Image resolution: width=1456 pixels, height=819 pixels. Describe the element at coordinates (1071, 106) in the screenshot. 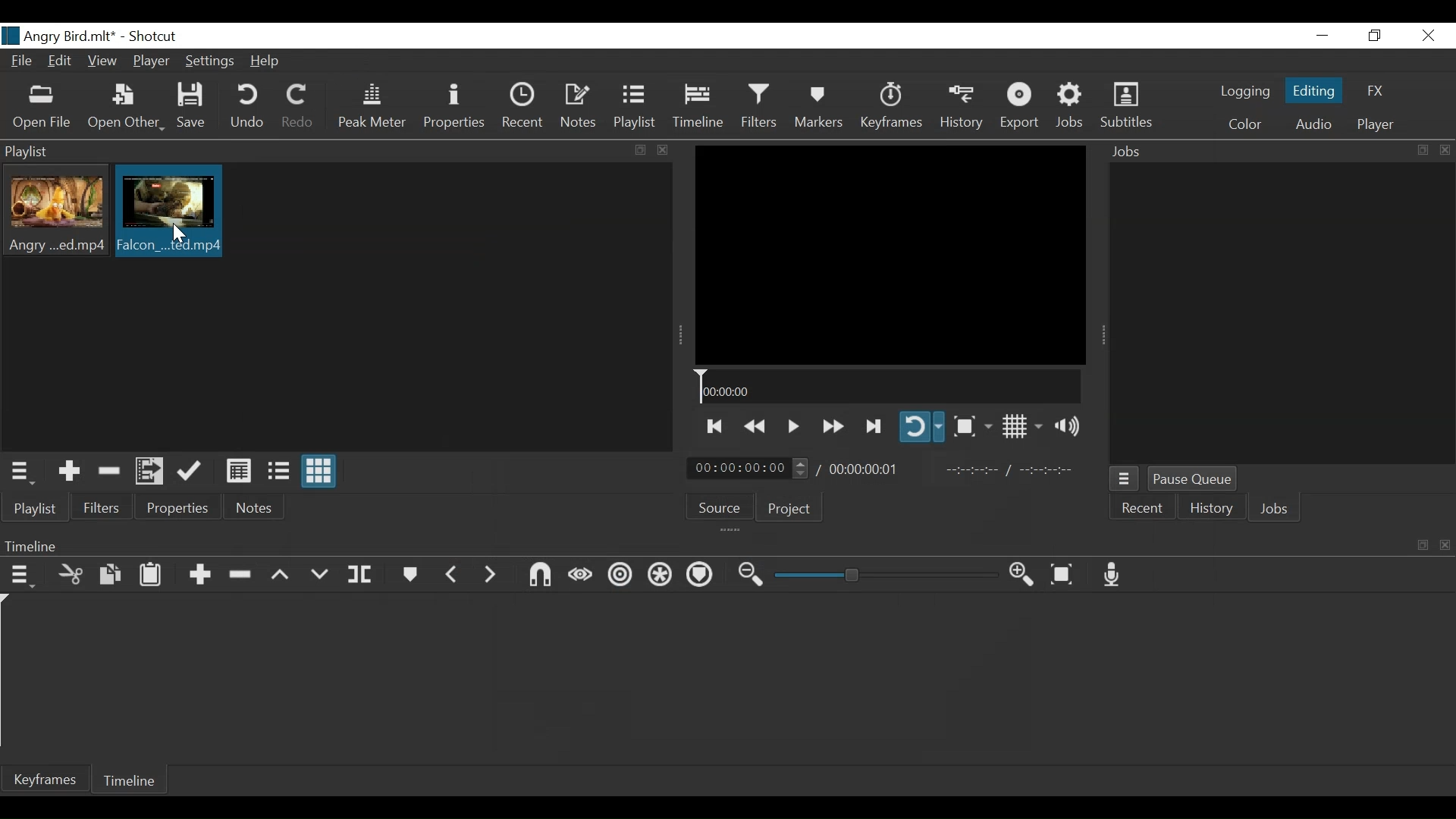

I see `Jobs` at that location.